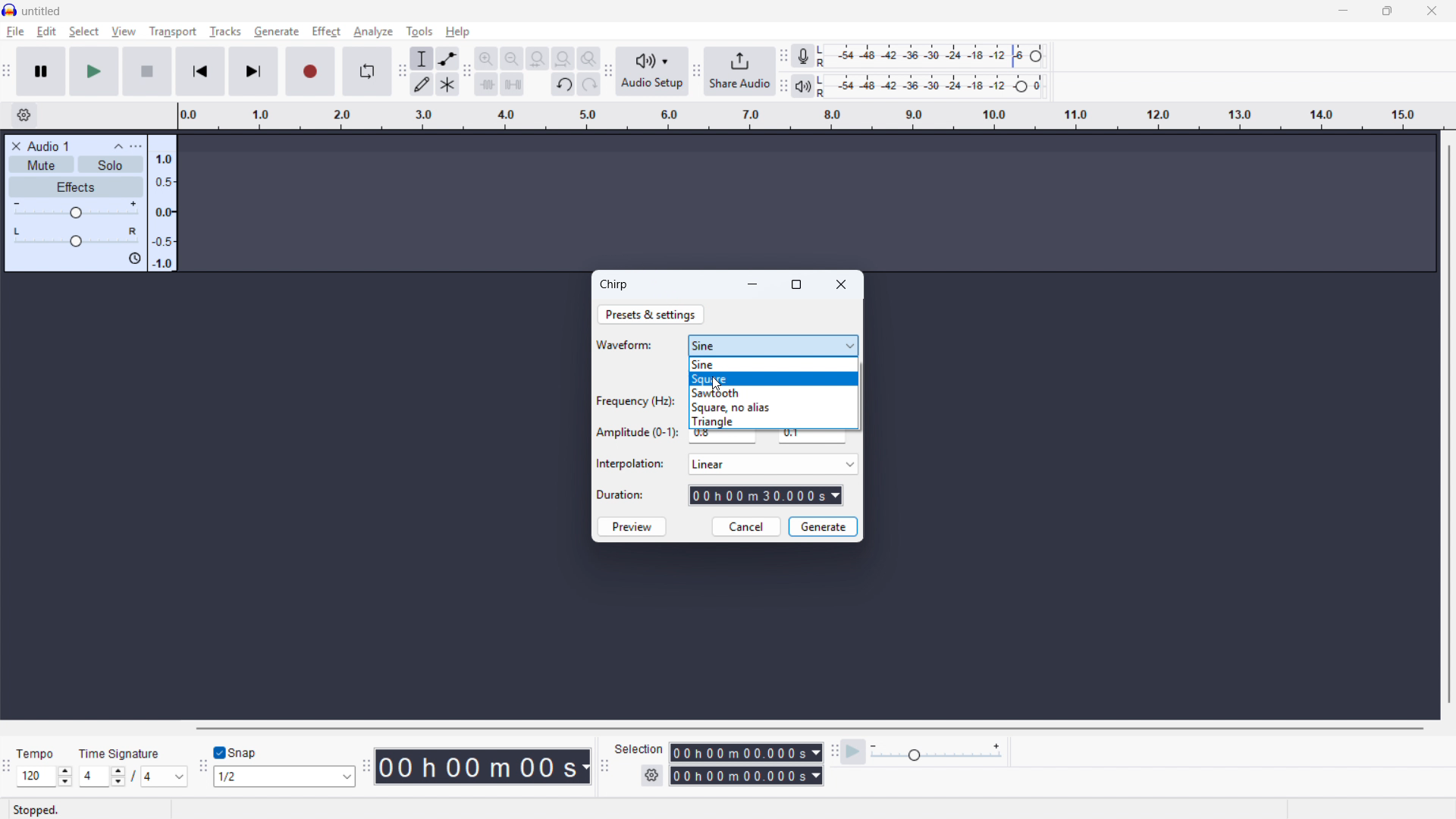  Describe the element at coordinates (423, 85) in the screenshot. I see `Draw tool ` at that location.